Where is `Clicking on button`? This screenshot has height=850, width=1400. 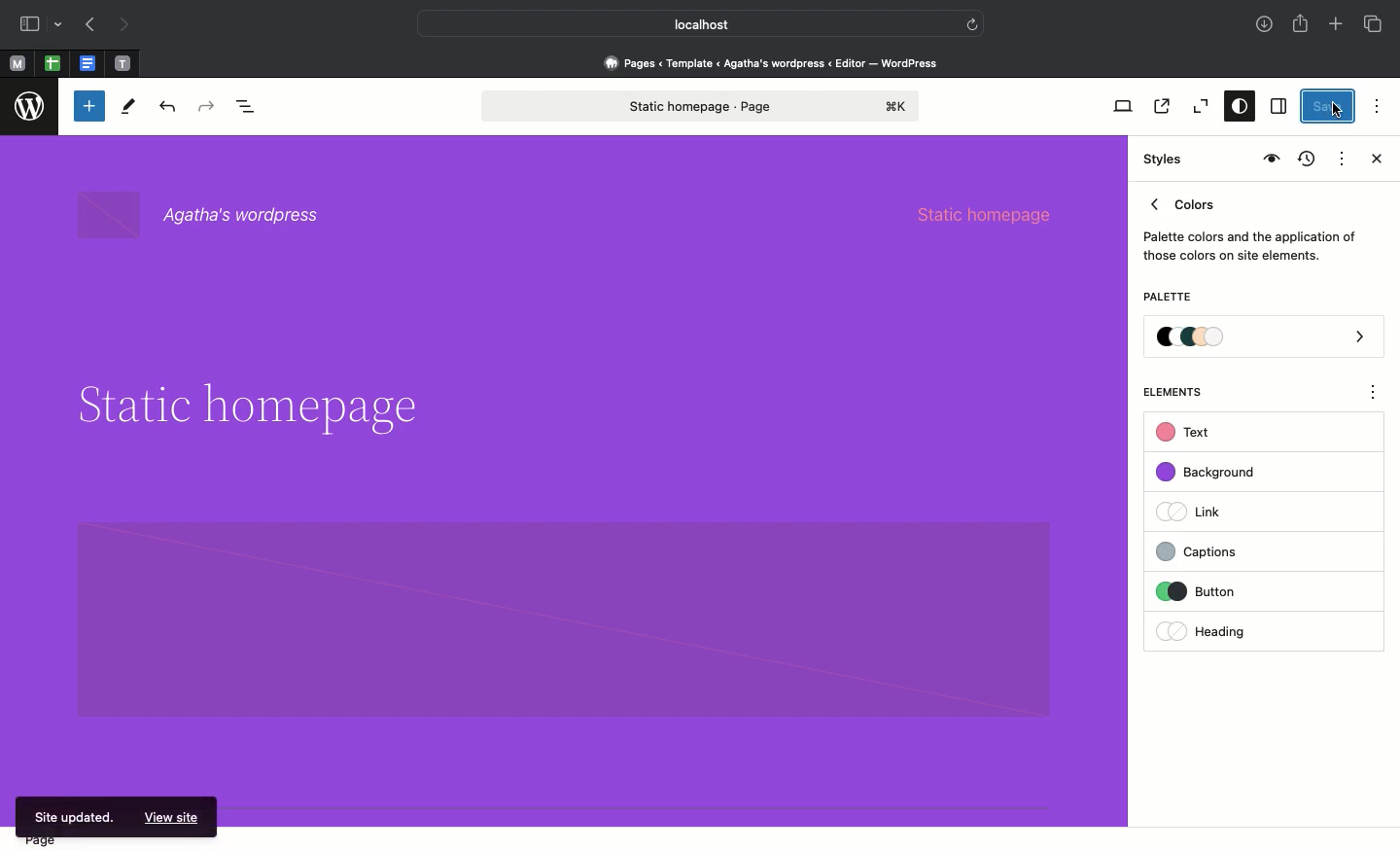 Clicking on button is located at coordinates (1235, 592).